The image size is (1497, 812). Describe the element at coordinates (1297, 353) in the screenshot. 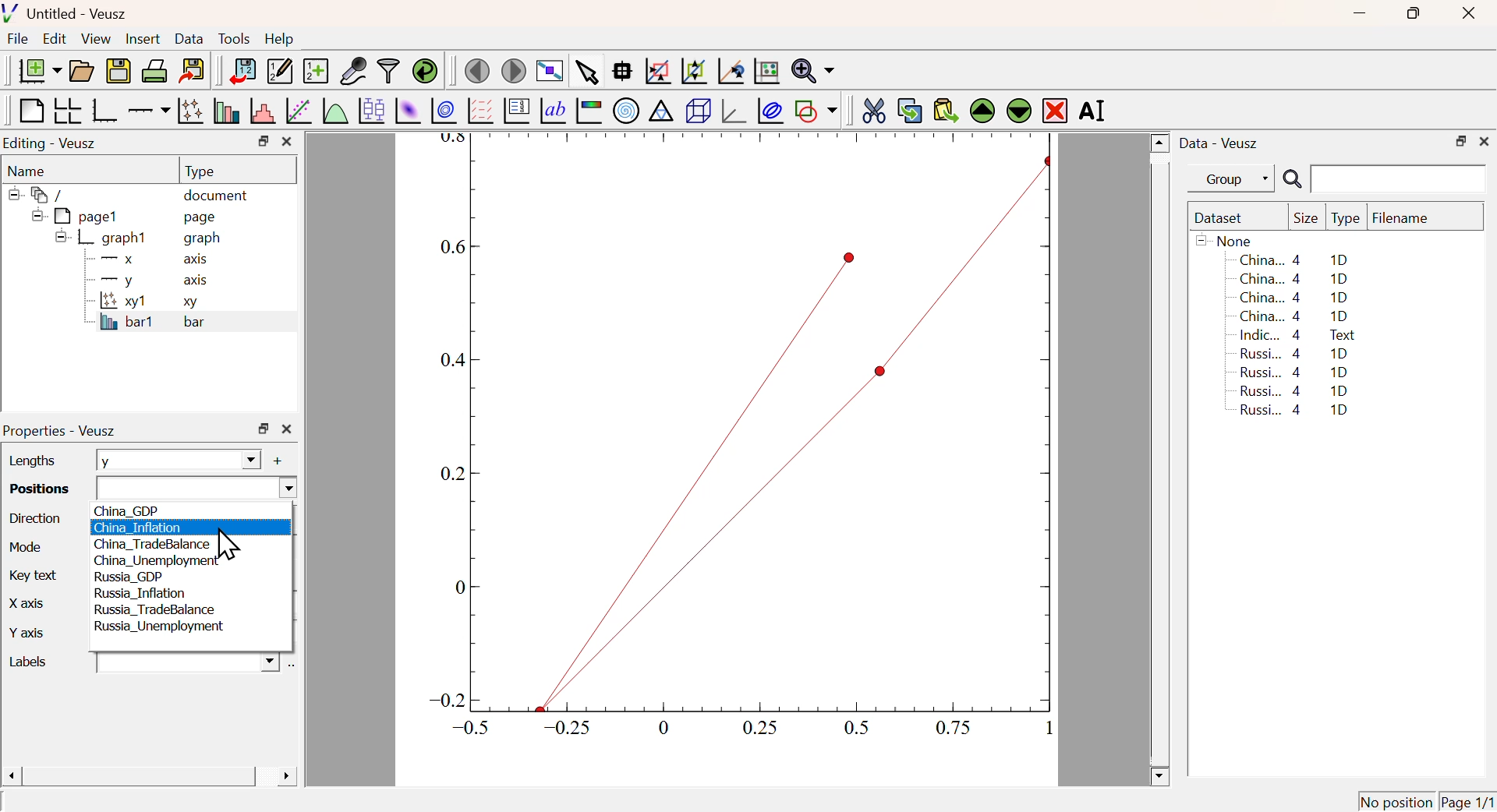

I see `Russi... 4 1D` at that location.